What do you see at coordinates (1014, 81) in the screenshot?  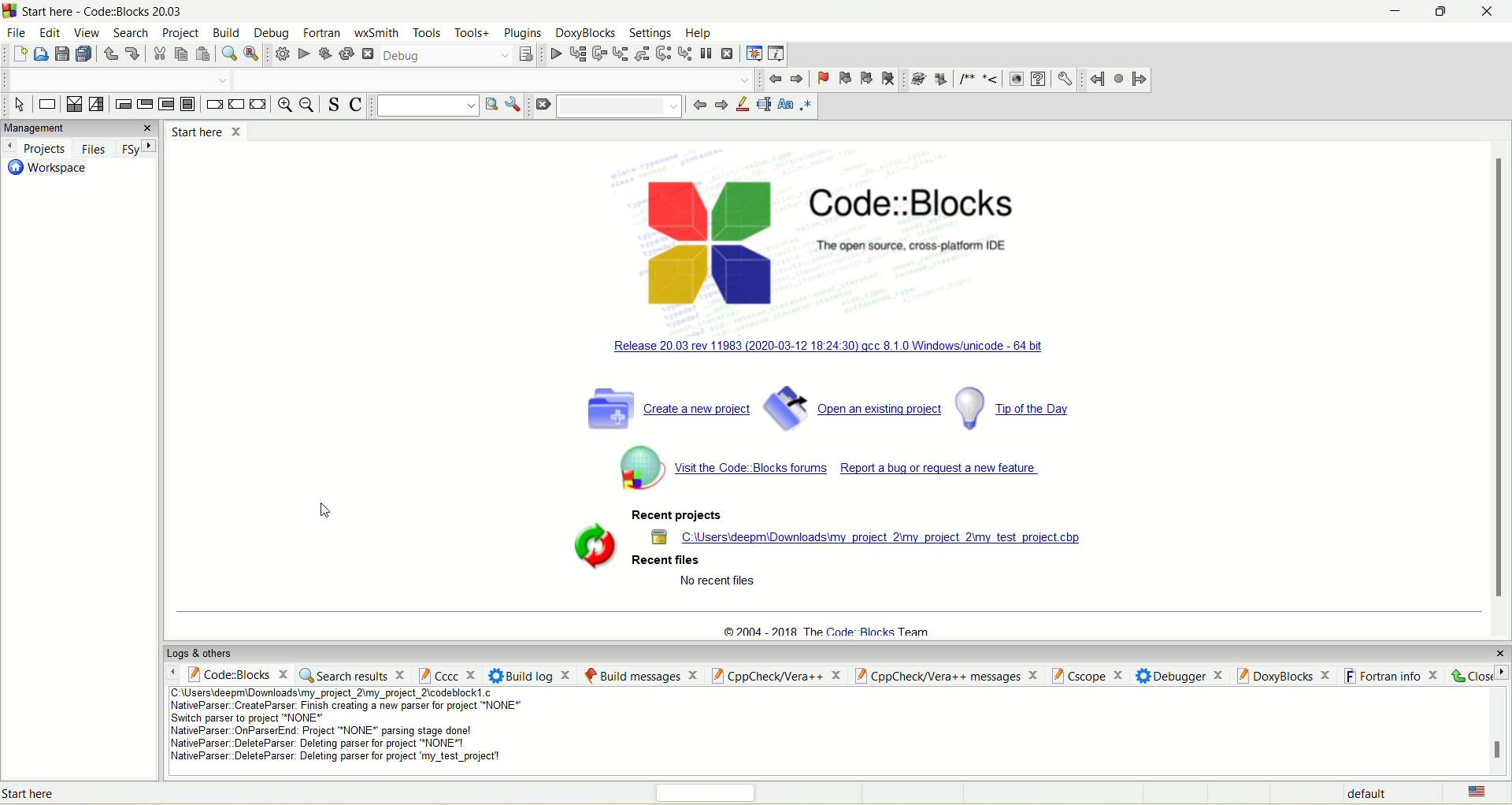 I see `HTML` at bounding box center [1014, 81].